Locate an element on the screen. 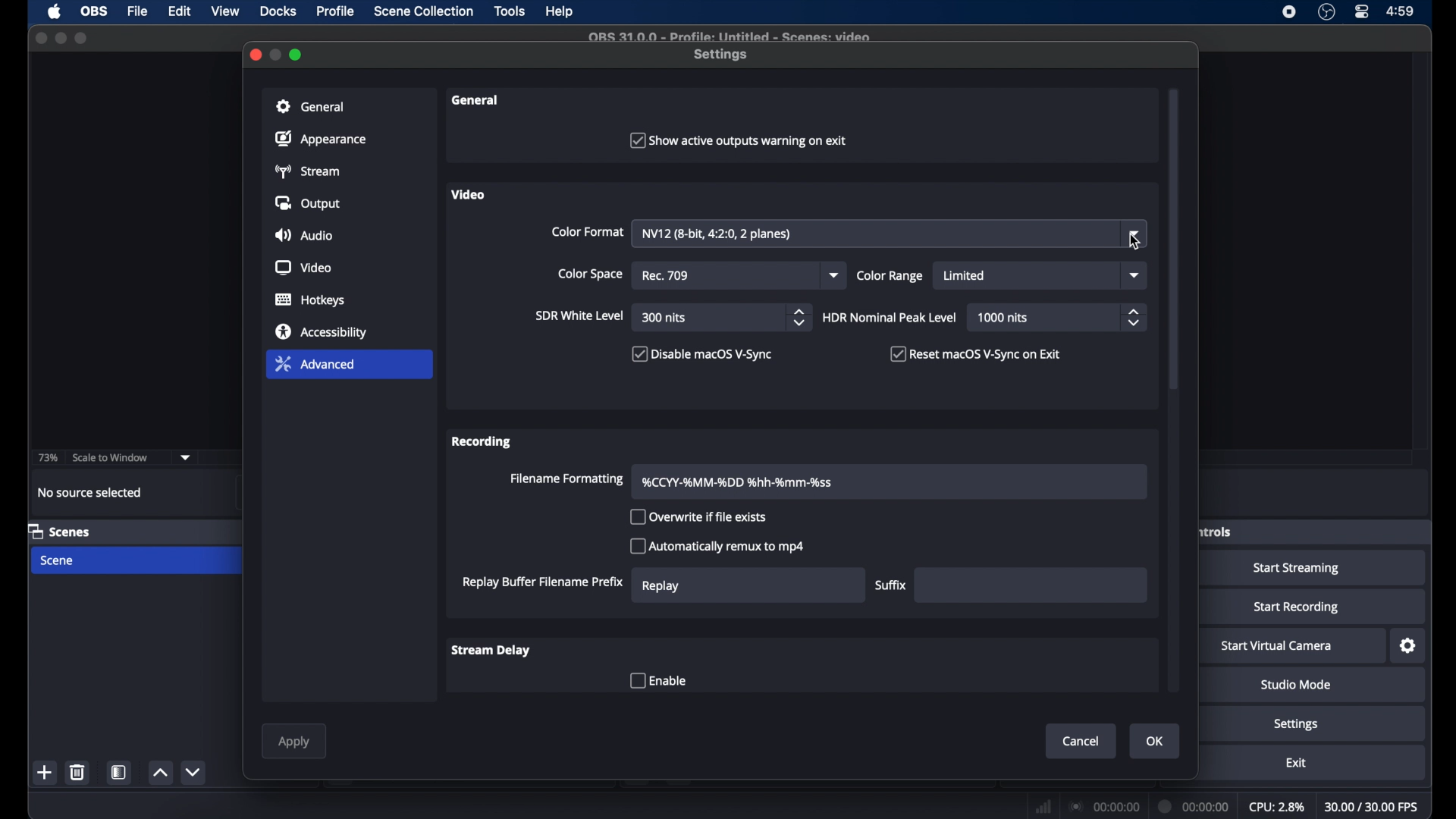 This screenshot has height=819, width=1456. 300 nits is located at coordinates (664, 318).